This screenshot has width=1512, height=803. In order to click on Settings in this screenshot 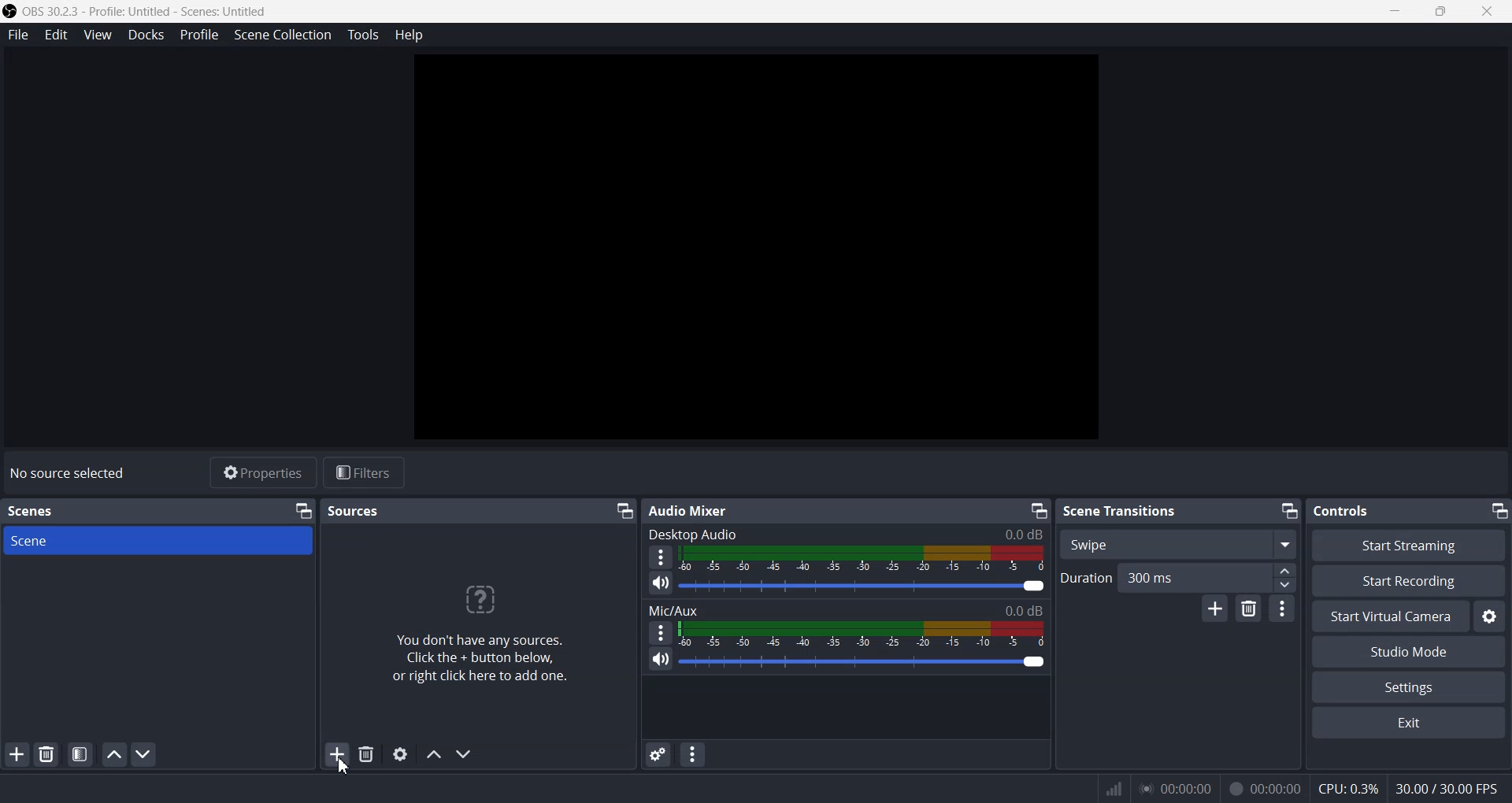, I will do `click(1408, 688)`.